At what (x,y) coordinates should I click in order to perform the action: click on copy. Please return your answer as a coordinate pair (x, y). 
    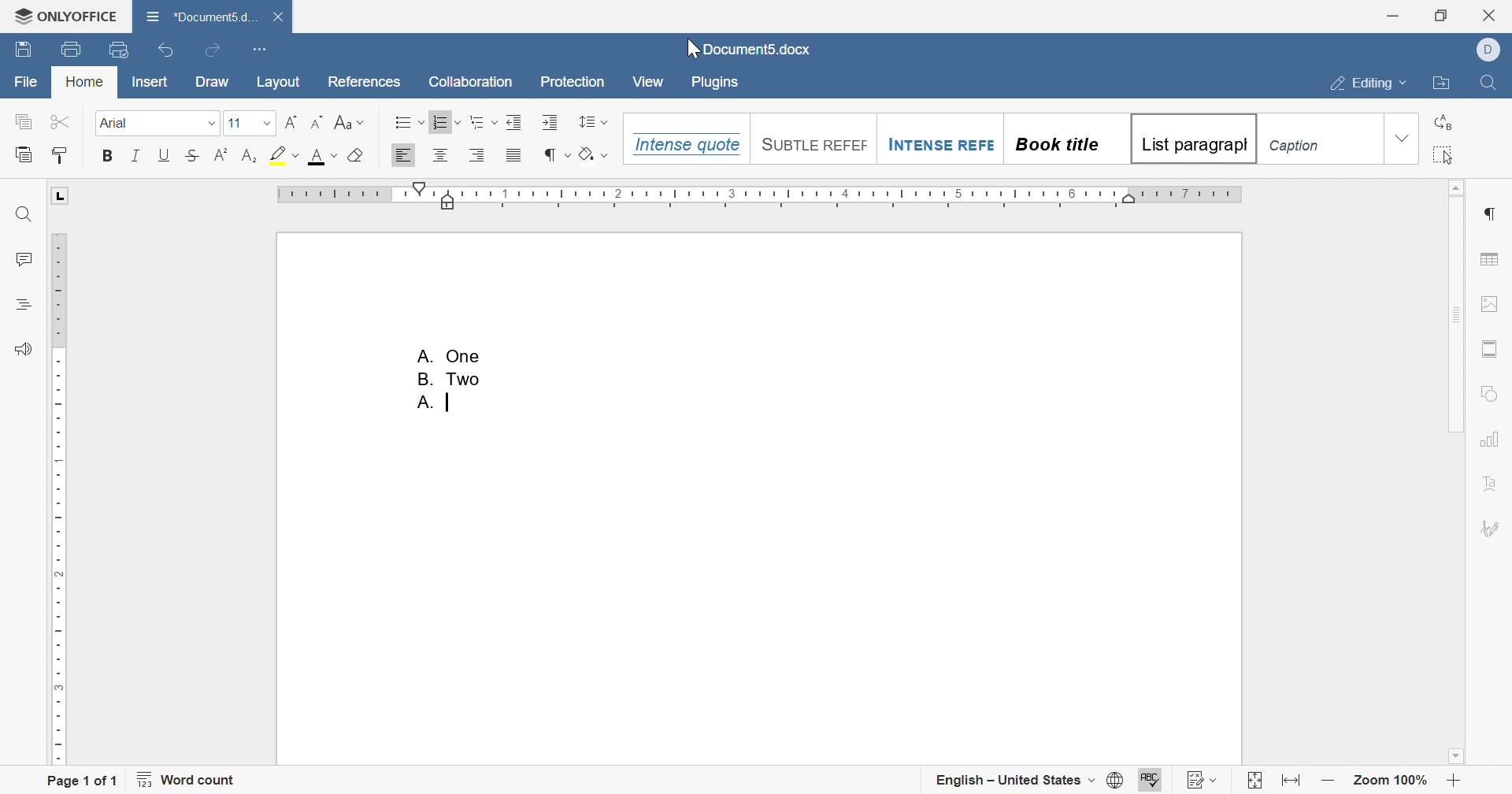
    Looking at the image, I should click on (465, 380).